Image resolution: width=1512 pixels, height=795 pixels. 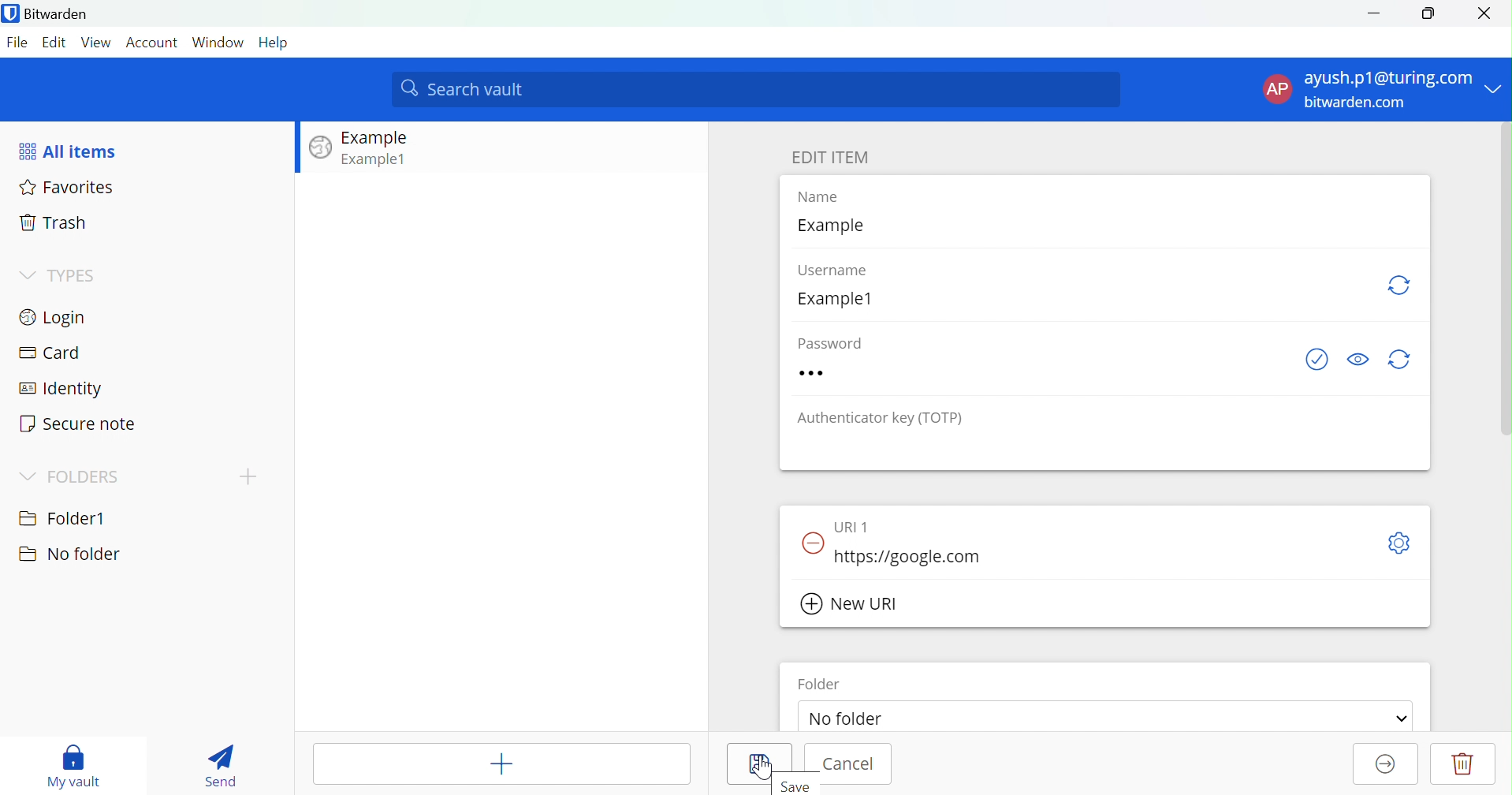 I want to click on Drop Down, so click(x=27, y=476).